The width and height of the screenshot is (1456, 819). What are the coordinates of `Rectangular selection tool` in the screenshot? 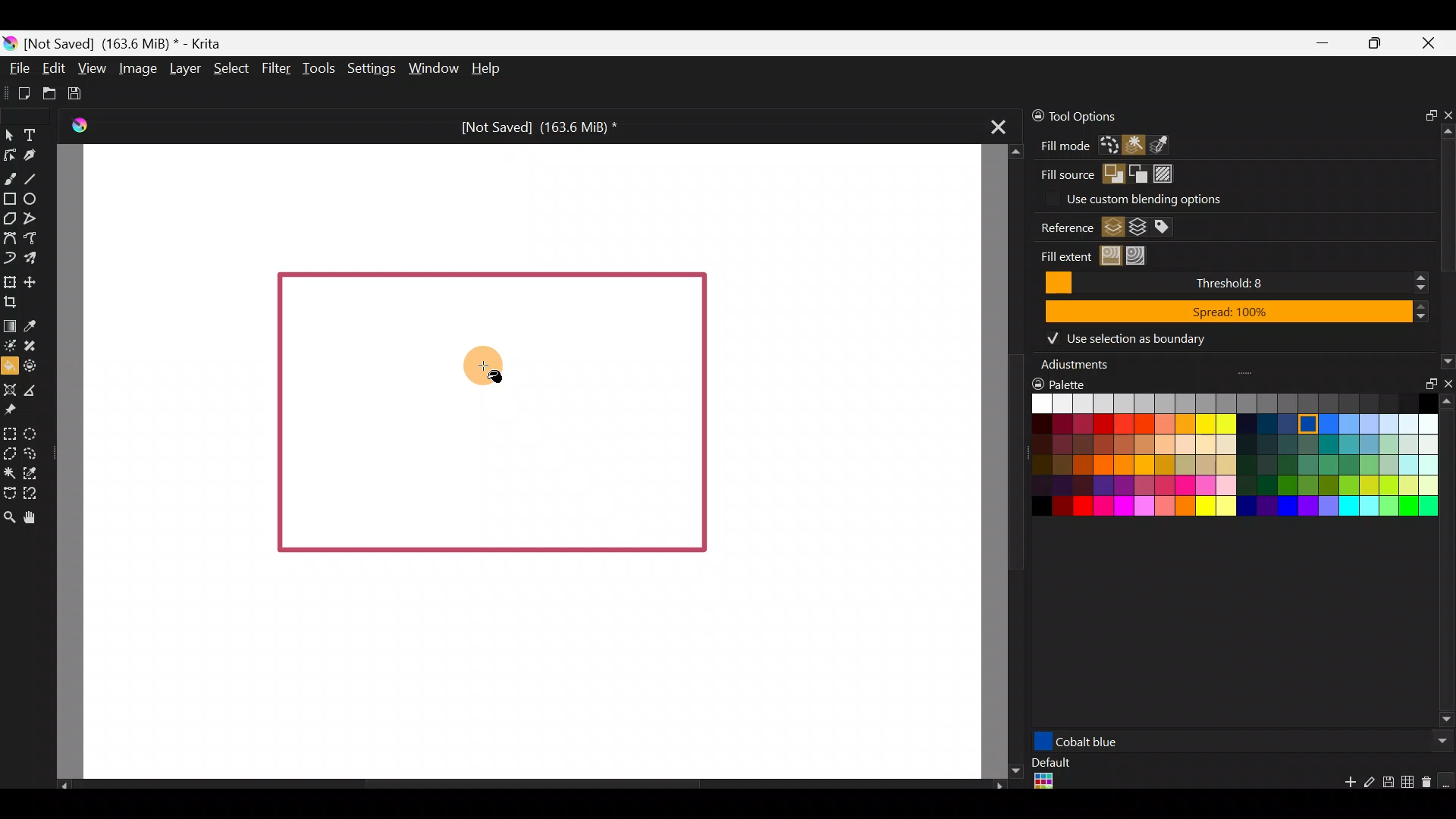 It's located at (13, 434).